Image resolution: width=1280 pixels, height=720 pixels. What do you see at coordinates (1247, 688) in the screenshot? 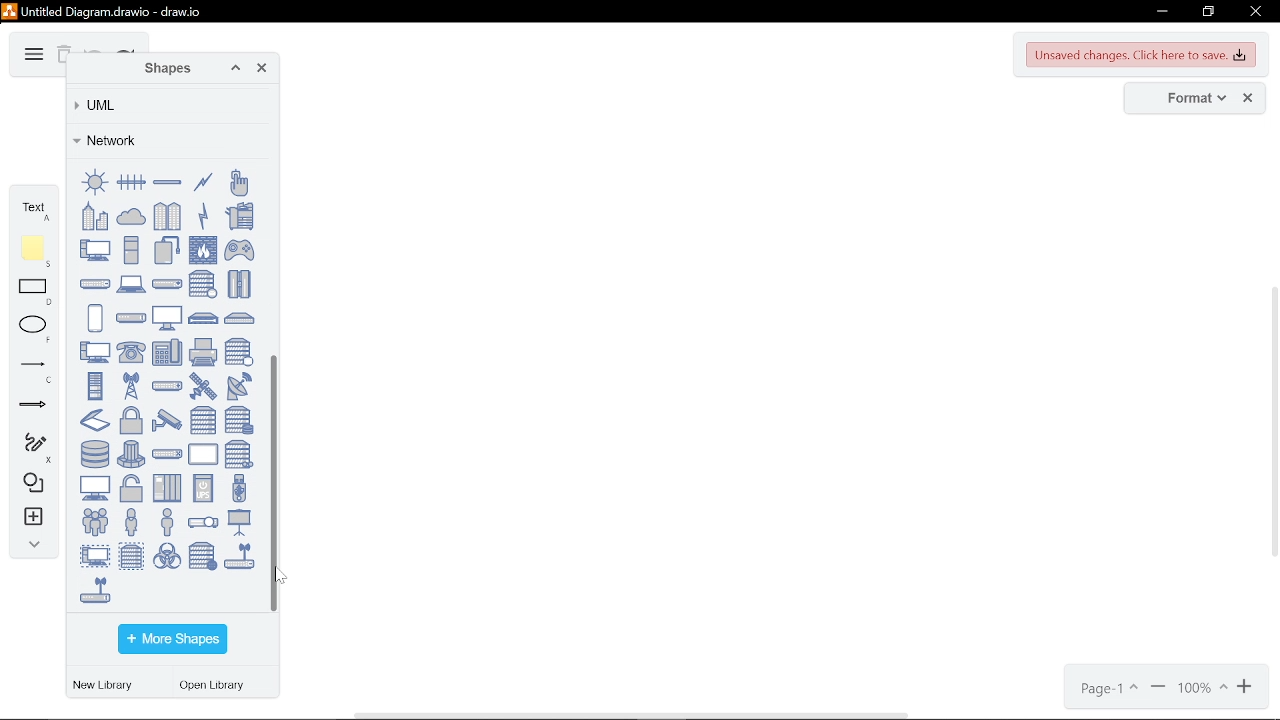
I see `zoom in` at bounding box center [1247, 688].